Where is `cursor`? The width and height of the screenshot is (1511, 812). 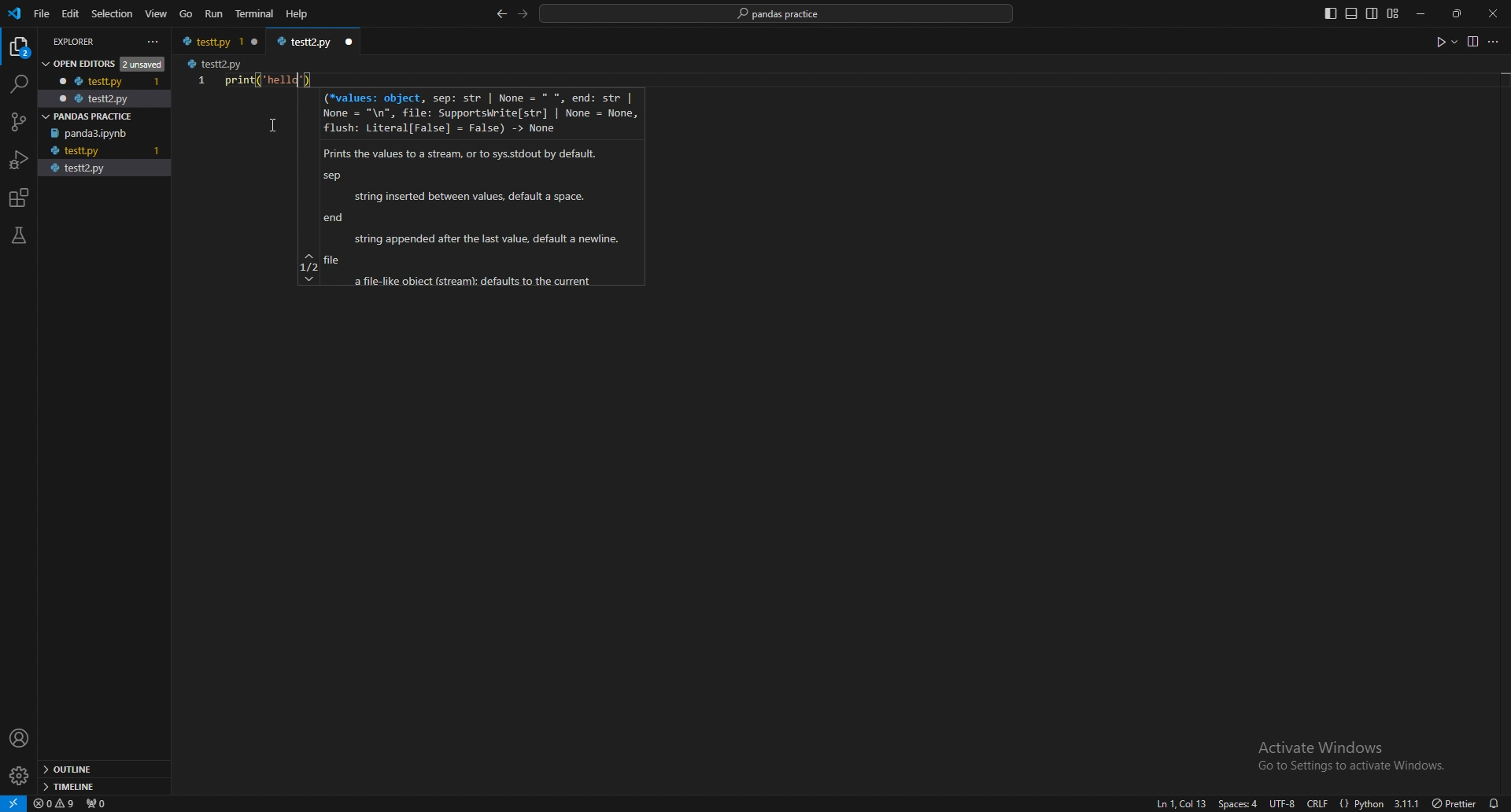
cursor is located at coordinates (268, 125).